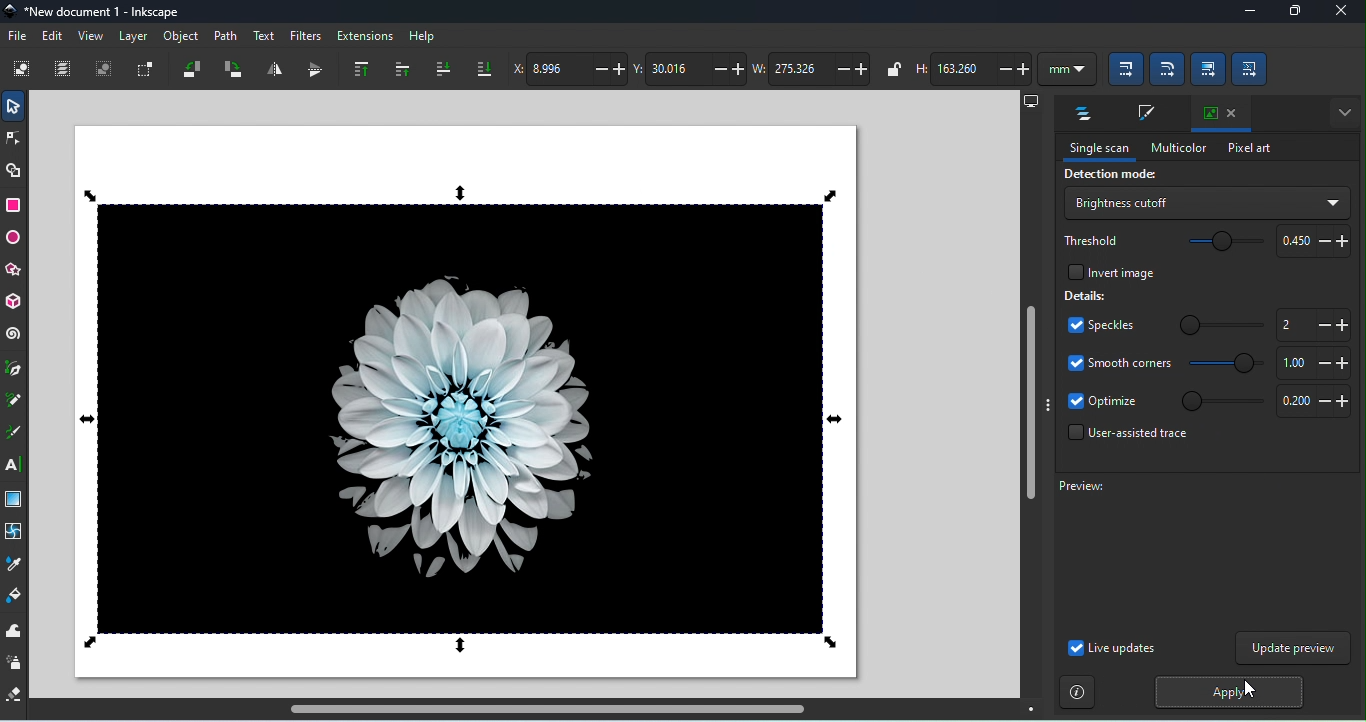  I want to click on Slidebar, so click(1222, 403).